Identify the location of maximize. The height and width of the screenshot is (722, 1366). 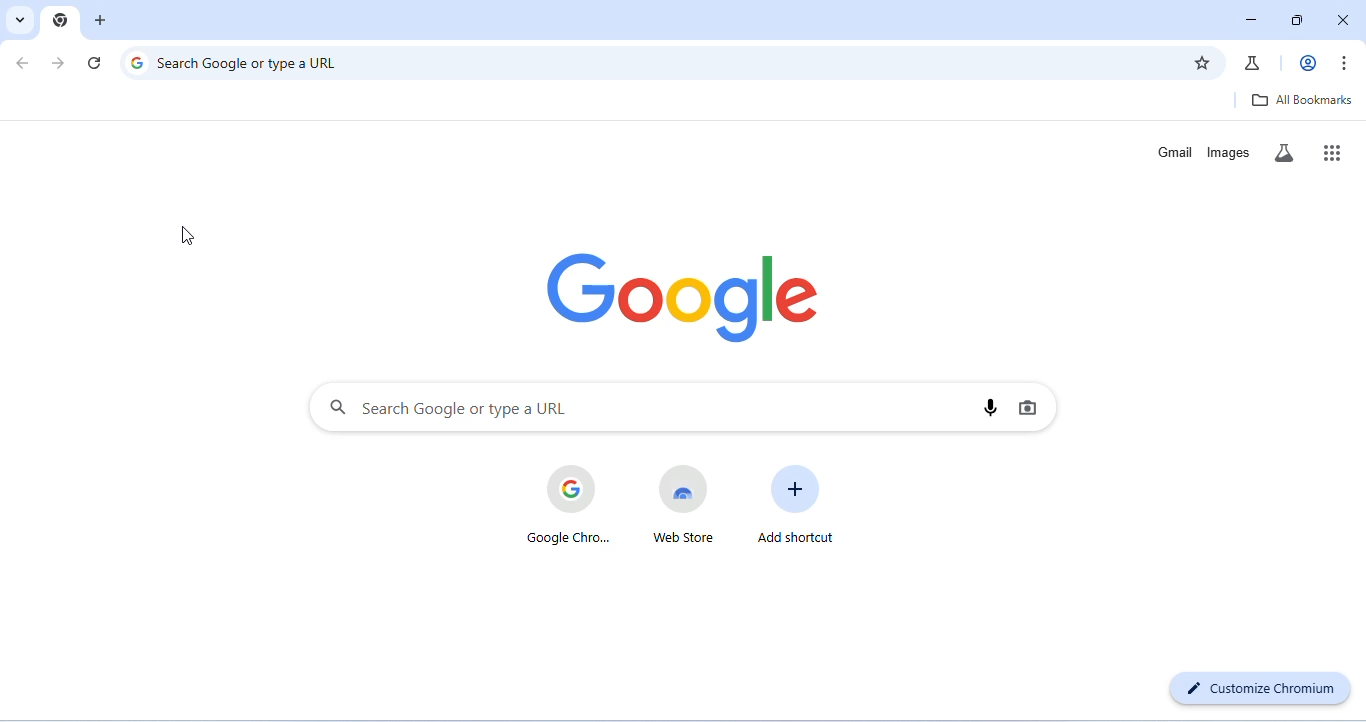
(1302, 21).